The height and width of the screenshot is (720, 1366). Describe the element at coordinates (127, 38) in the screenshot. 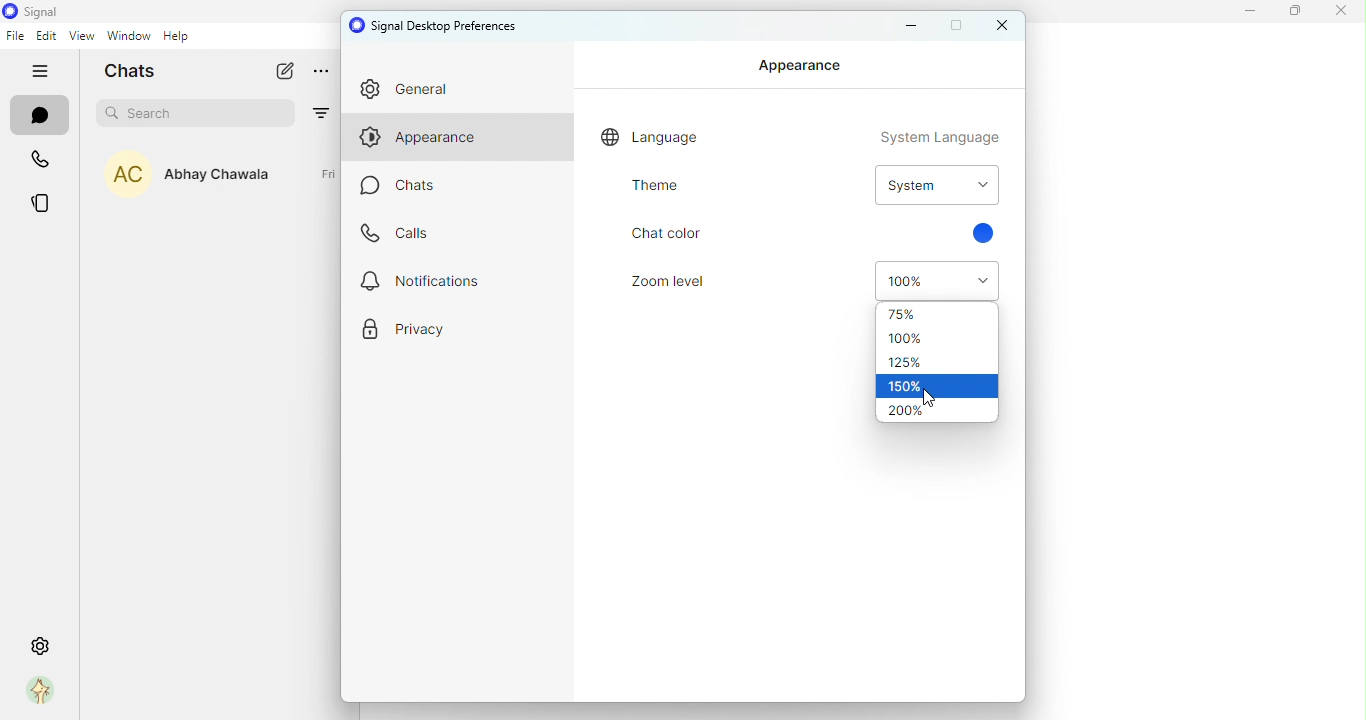

I see `window` at that location.